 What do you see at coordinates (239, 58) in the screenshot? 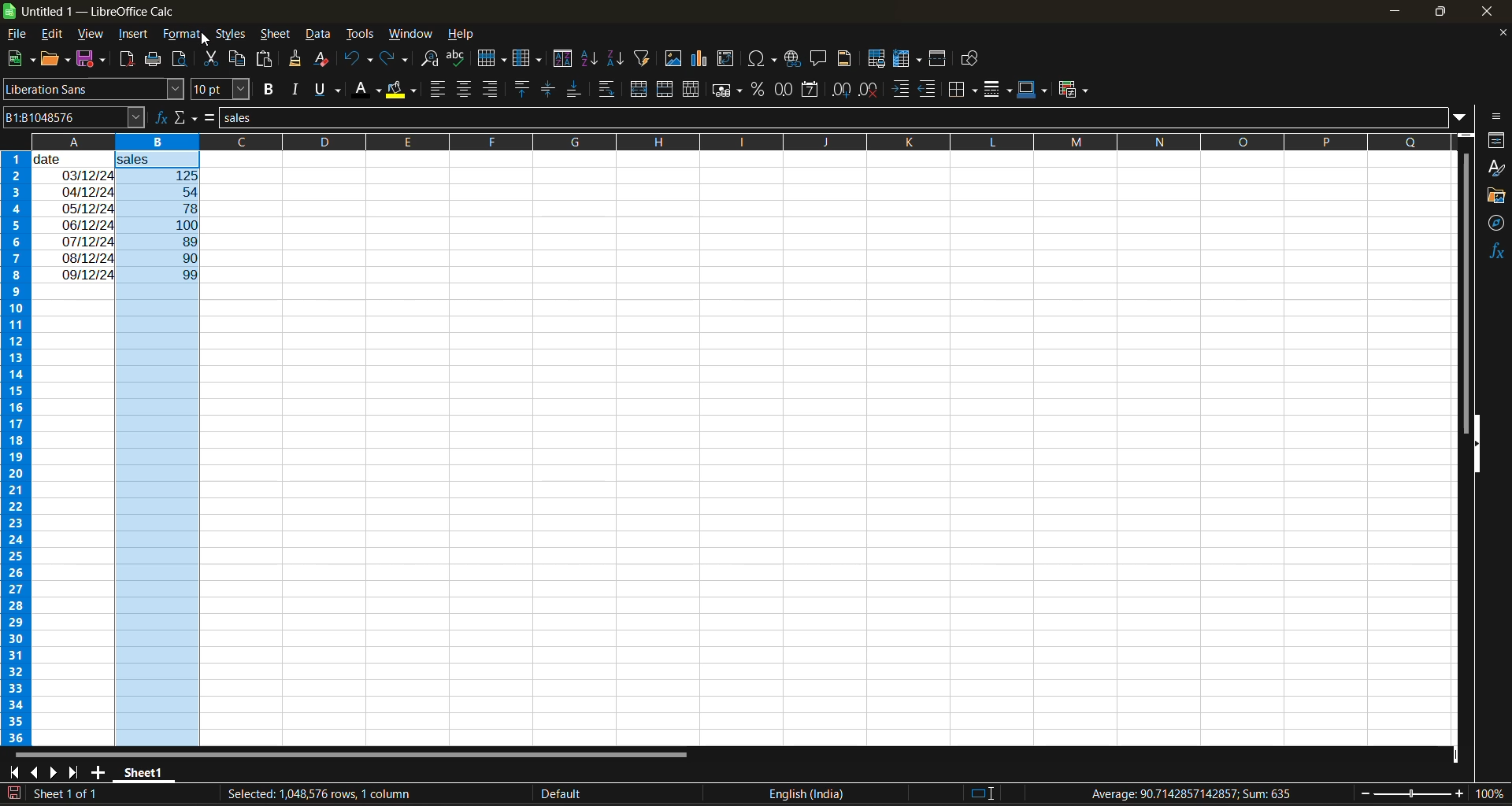
I see `copy` at bounding box center [239, 58].